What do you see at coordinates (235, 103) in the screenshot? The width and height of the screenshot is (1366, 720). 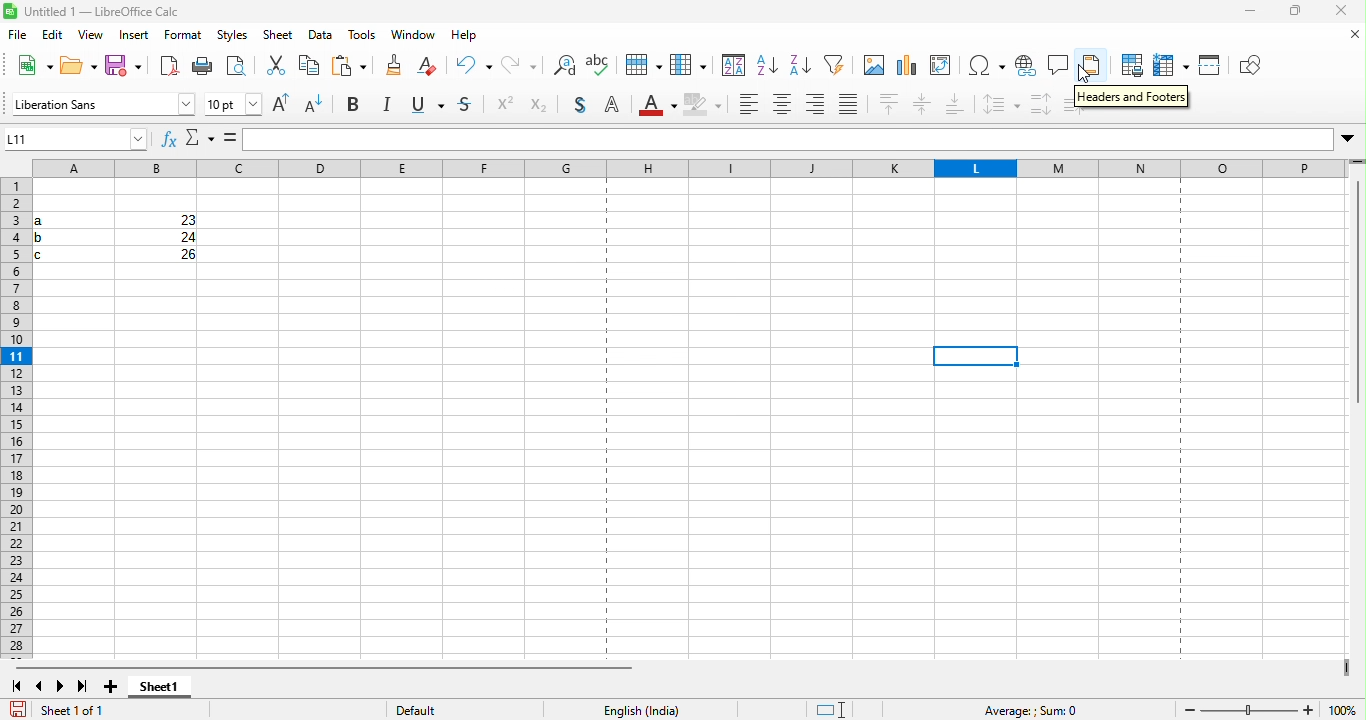 I see `font size` at bounding box center [235, 103].